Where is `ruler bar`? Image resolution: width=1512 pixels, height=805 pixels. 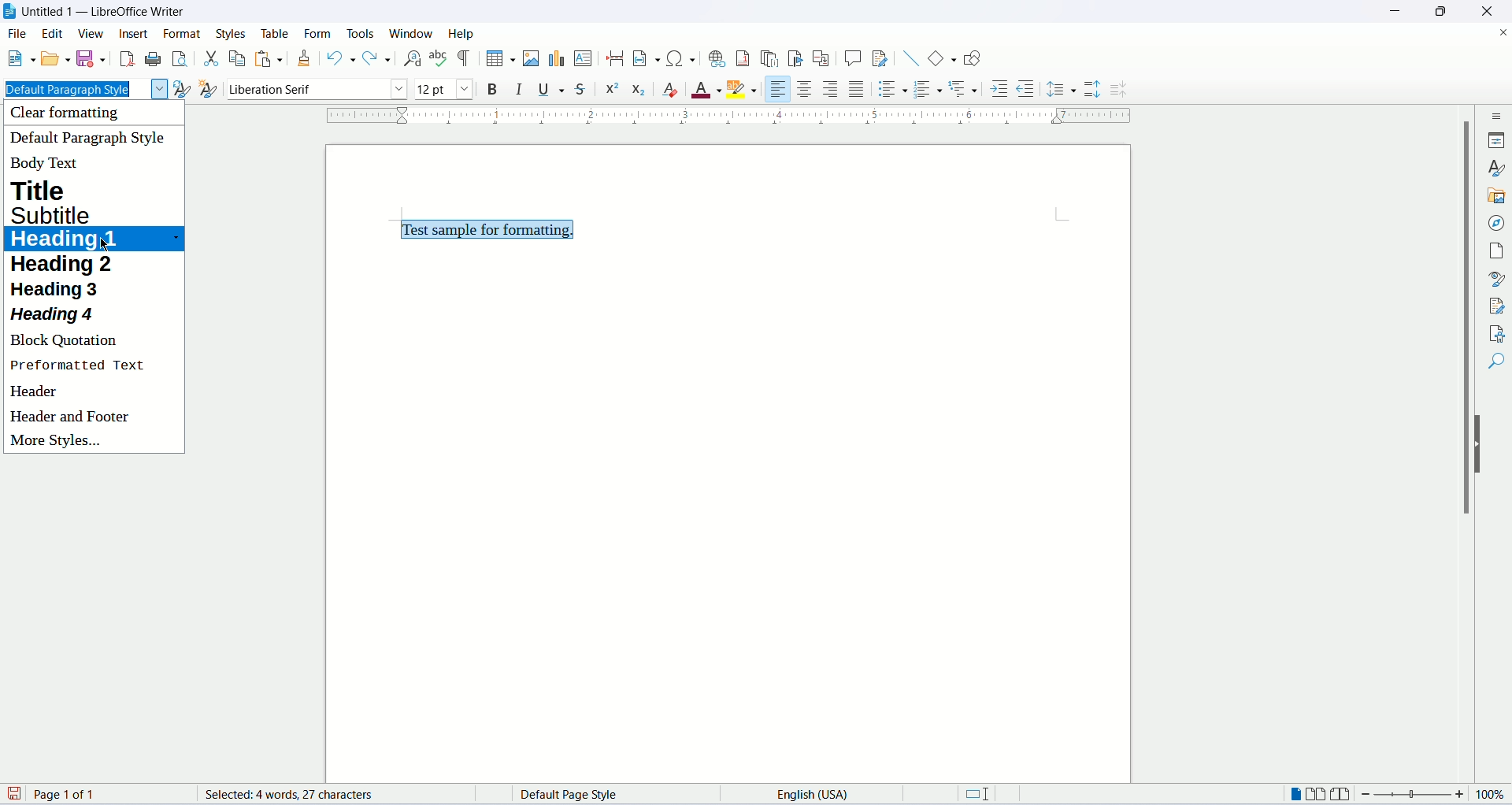
ruler bar is located at coordinates (732, 119).